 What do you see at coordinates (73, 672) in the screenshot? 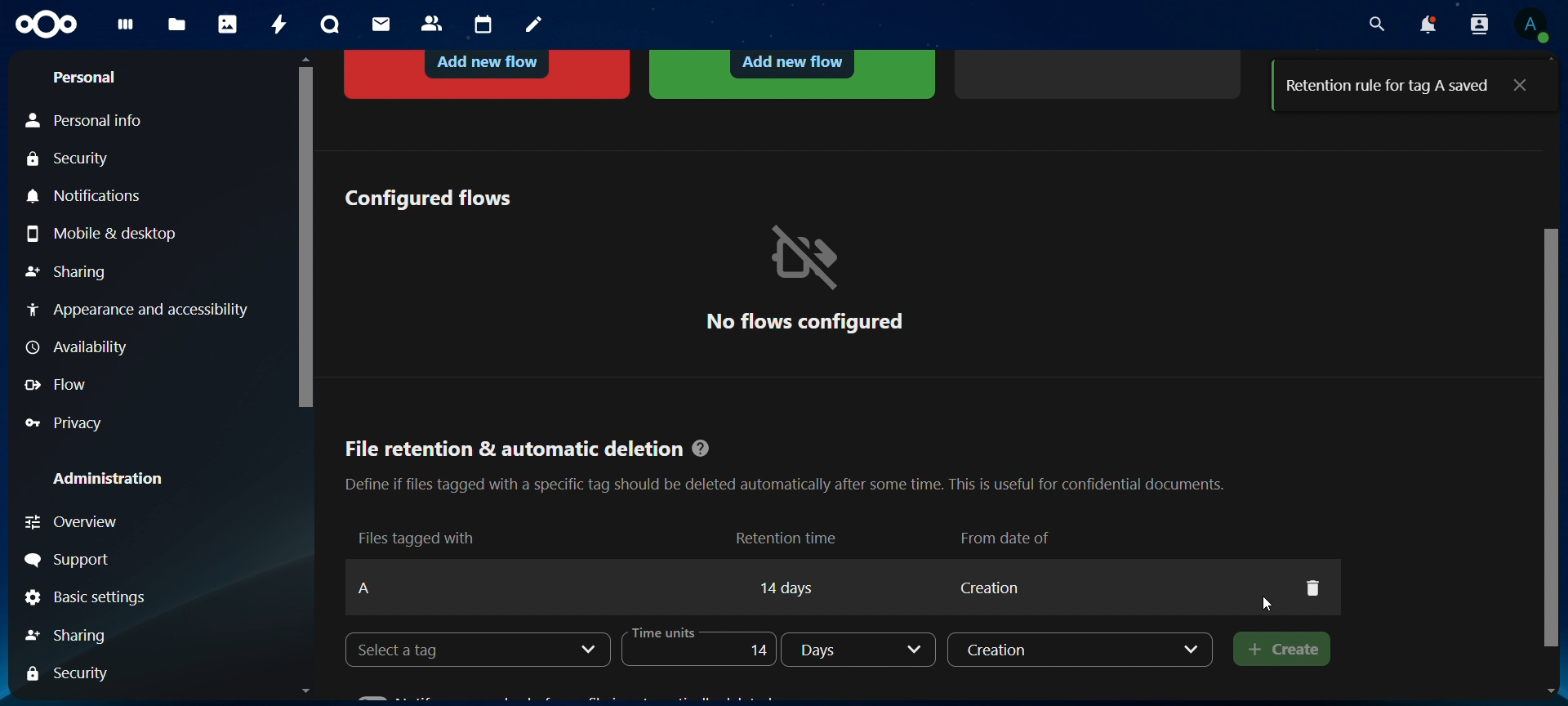
I see `security` at bounding box center [73, 672].